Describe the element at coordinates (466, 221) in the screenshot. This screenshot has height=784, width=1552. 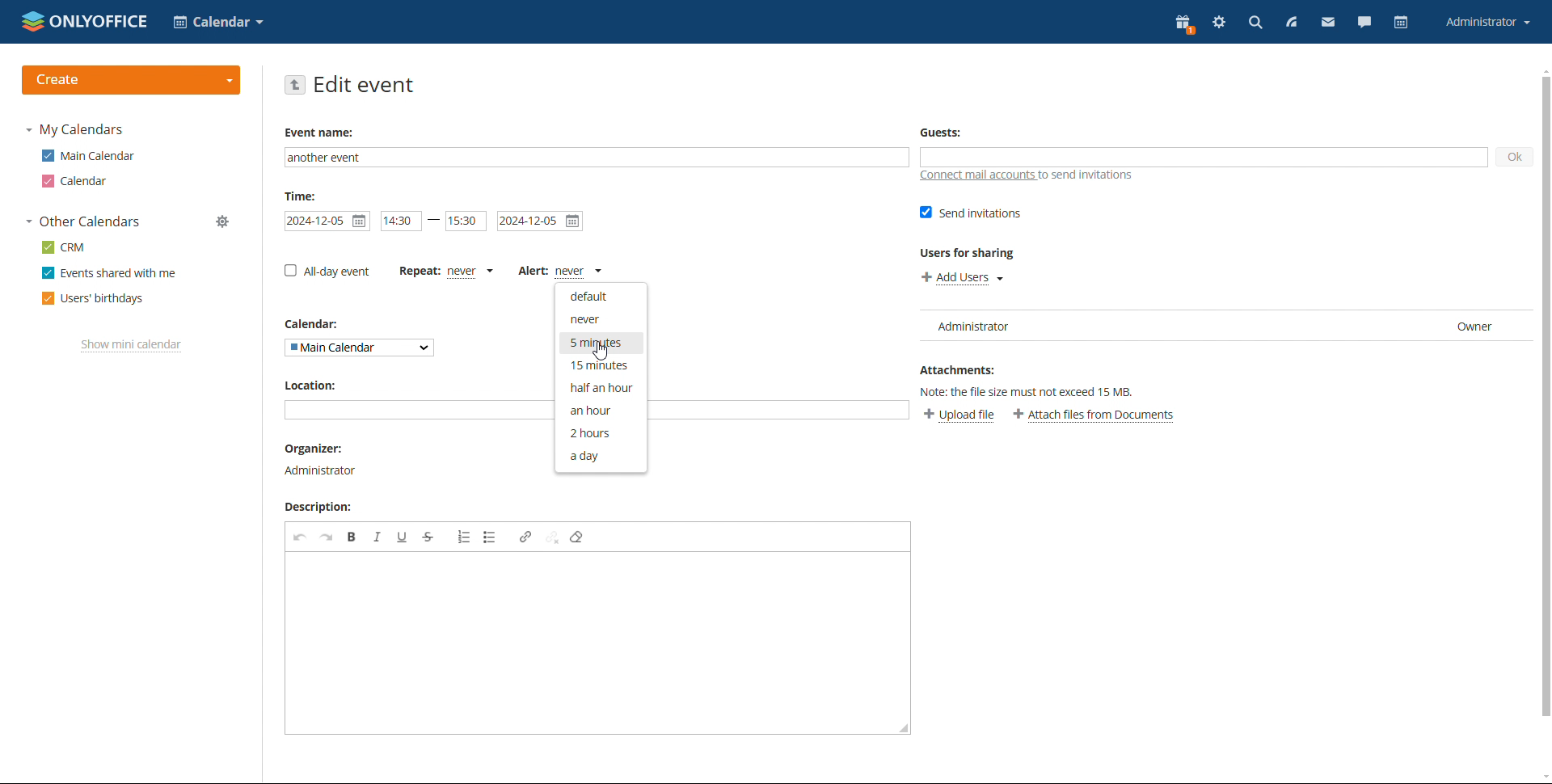
I see `end time` at that location.